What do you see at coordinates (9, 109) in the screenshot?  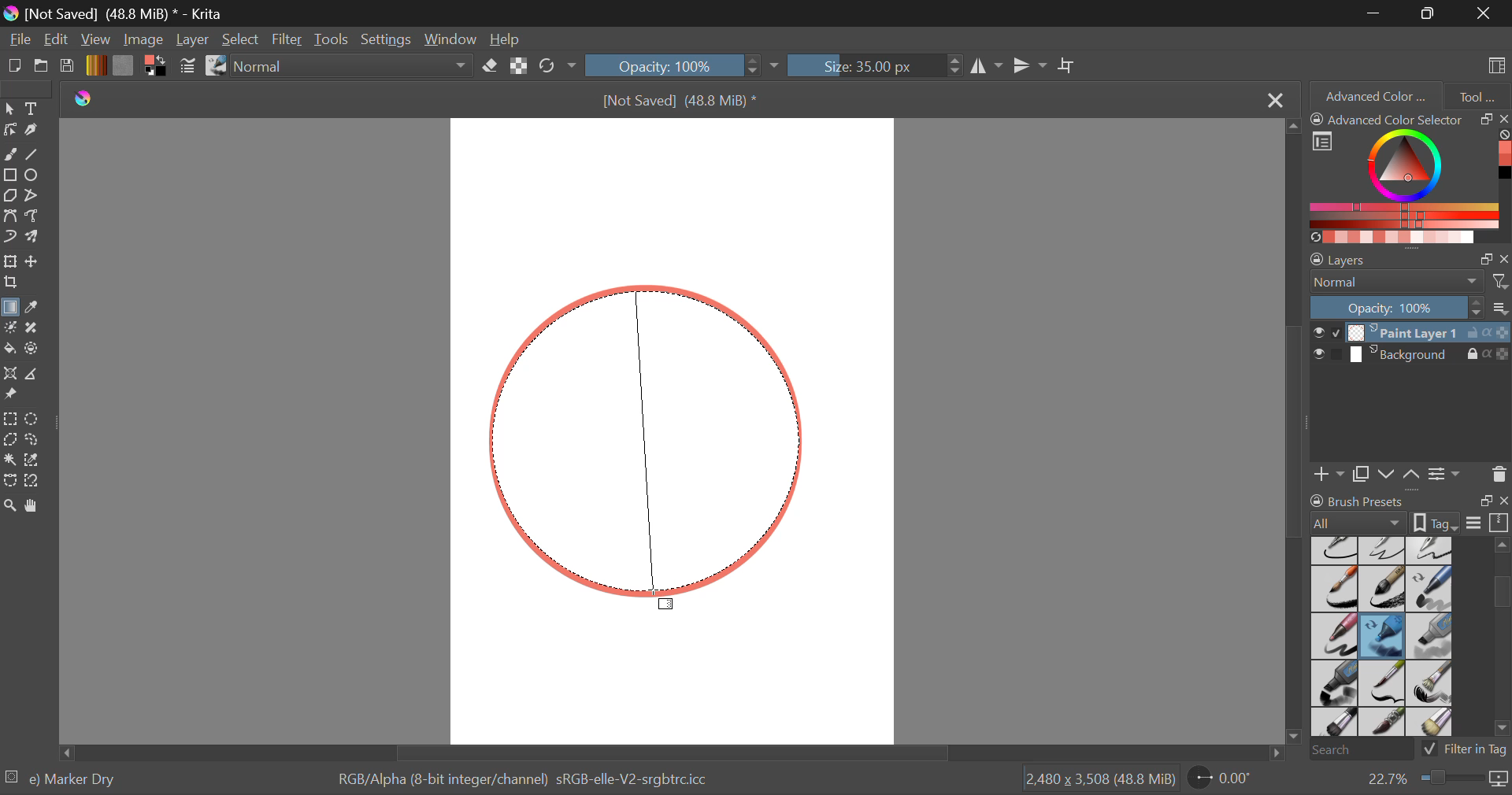 I see `Select` at bounding box center [9, 109].